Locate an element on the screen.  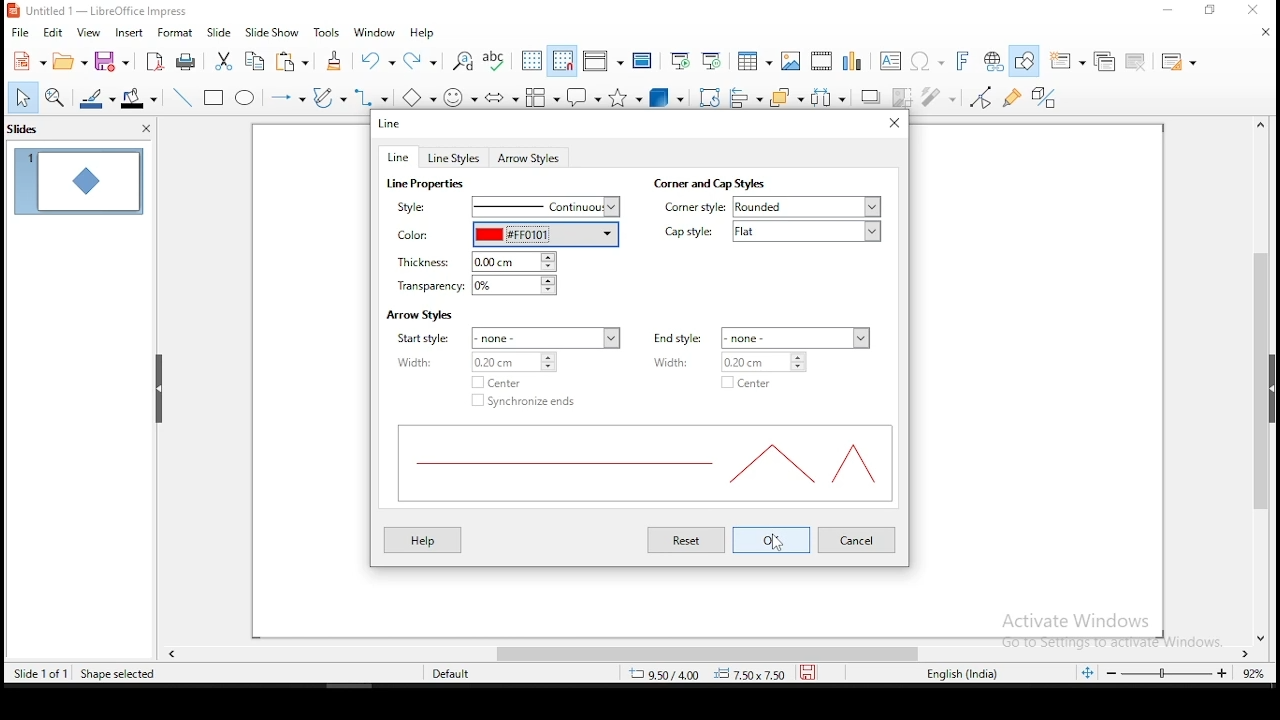
export as pdf is located at coordinates (156, 61).